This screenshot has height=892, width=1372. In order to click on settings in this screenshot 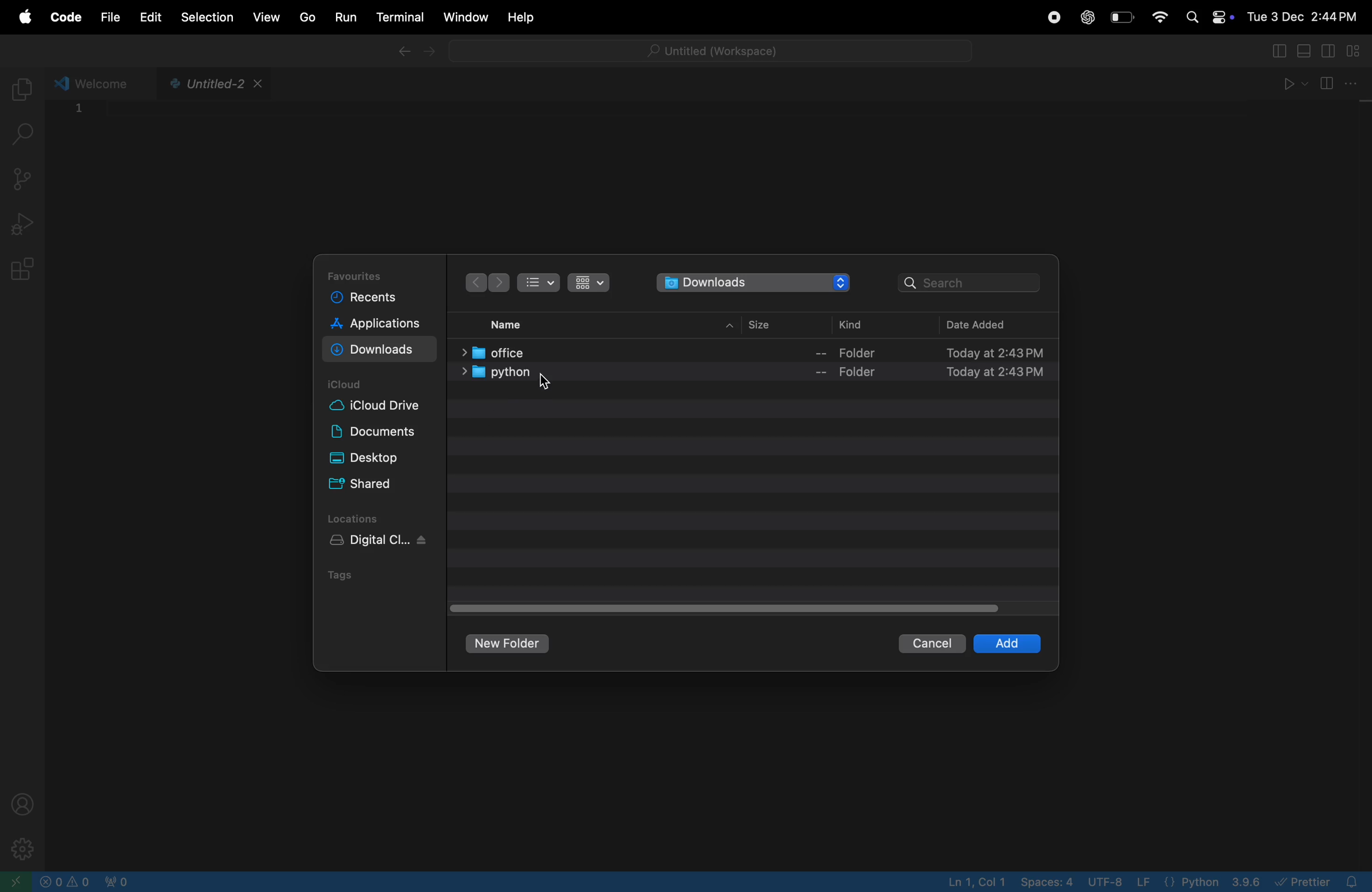, I will do `click(21, 848)`.